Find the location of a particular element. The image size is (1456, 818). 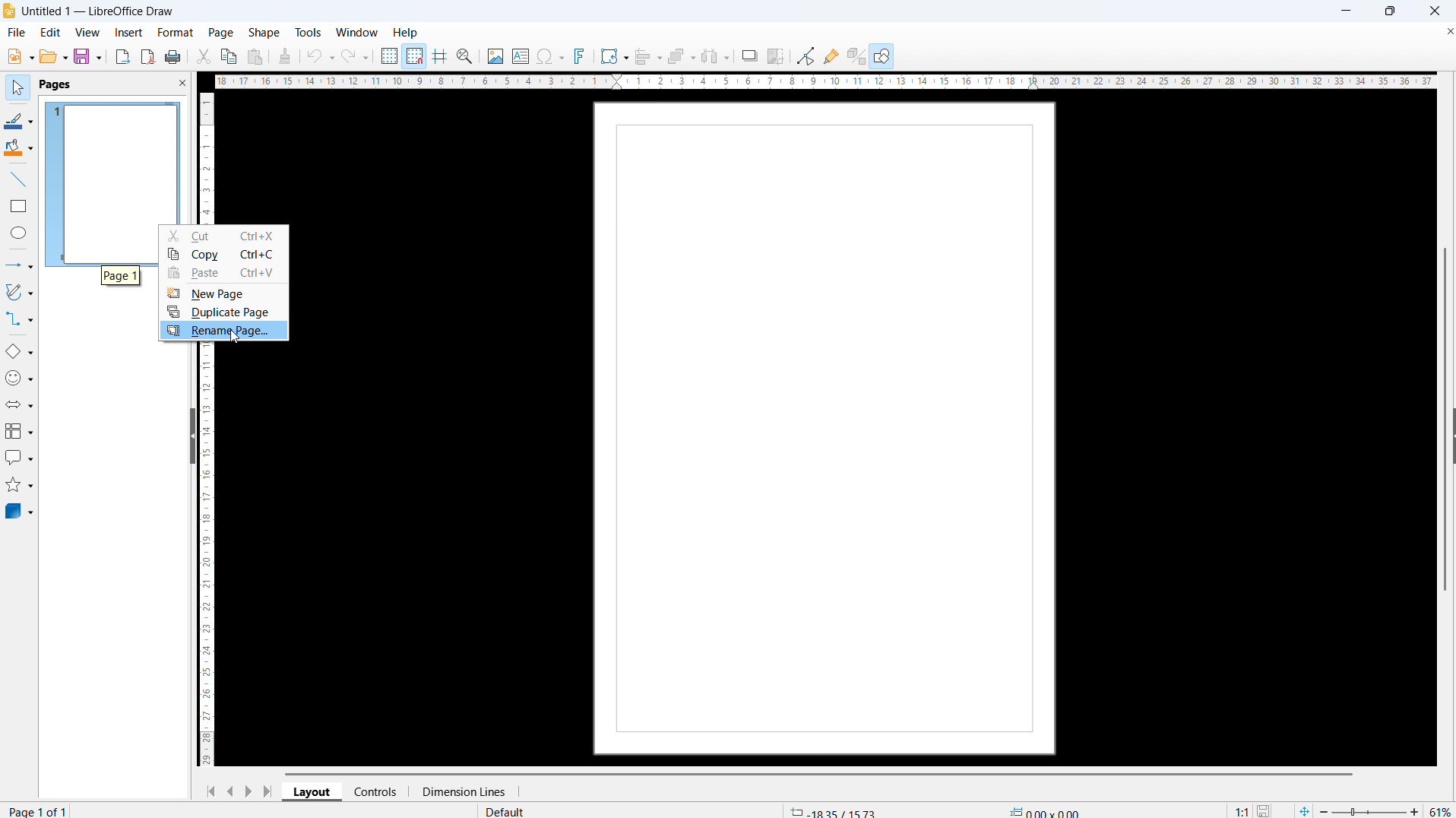

zoom is located at coordinates (465, 55).